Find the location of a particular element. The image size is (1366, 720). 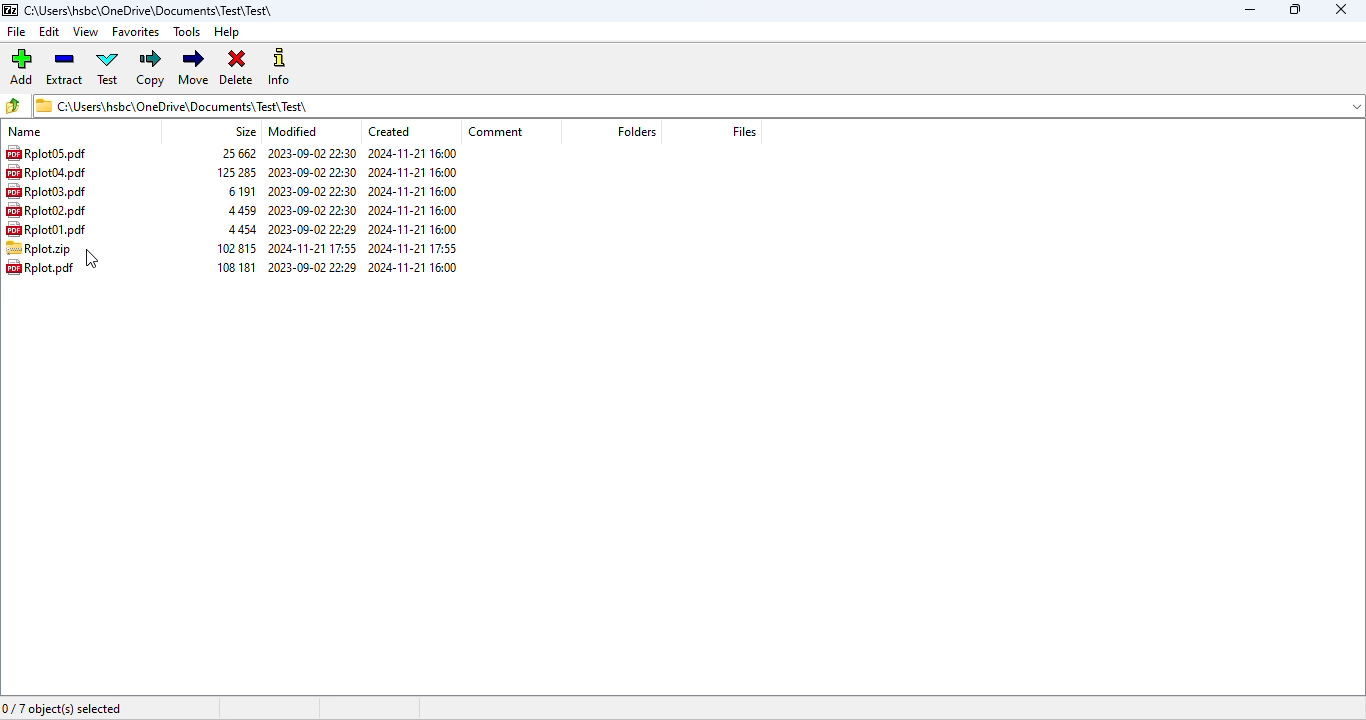

2024-11-21 17:55 is located at coordinates (311, 247).